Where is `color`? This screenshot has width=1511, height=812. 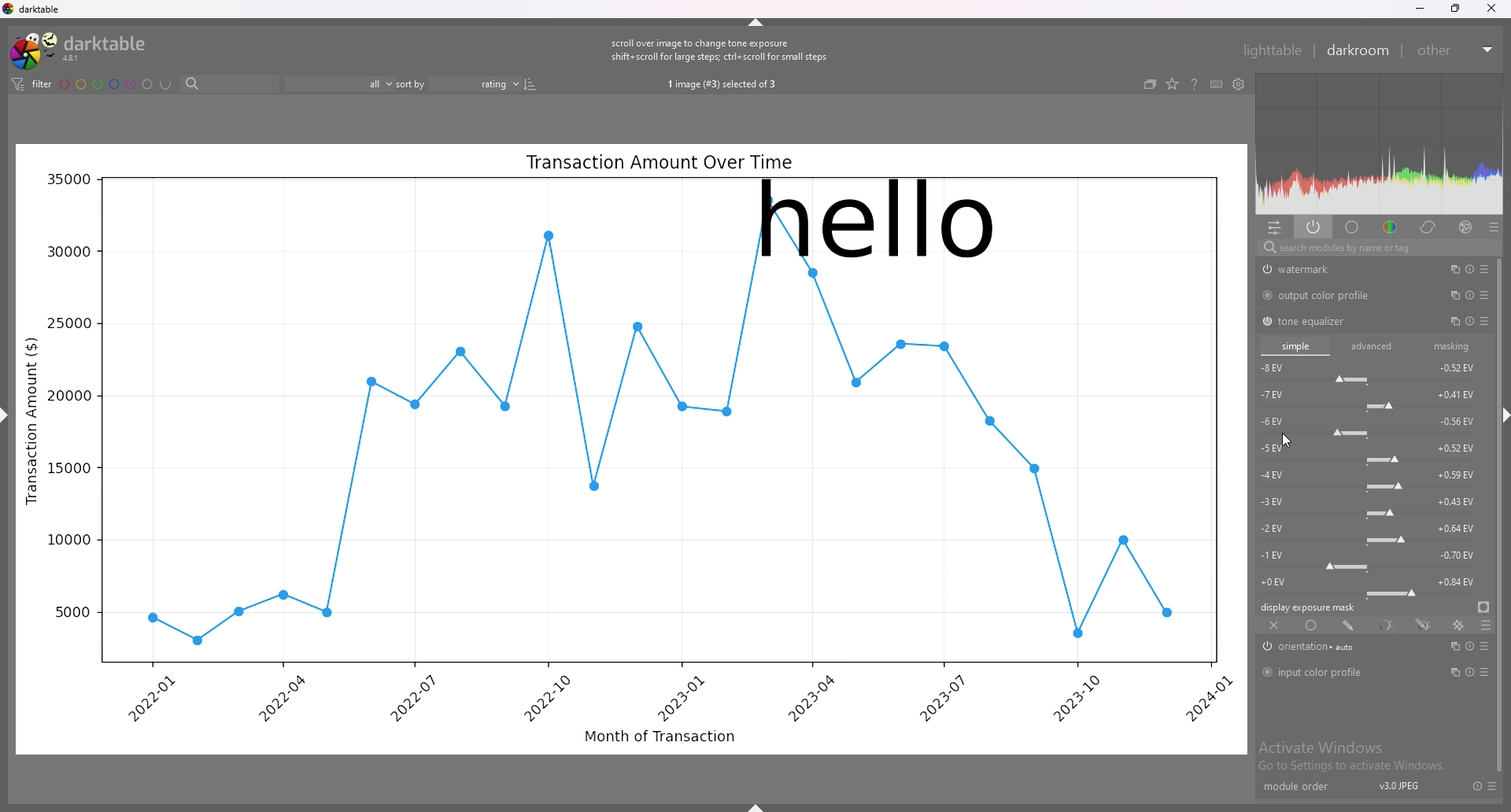
color is located at coordinates (1391, 227).